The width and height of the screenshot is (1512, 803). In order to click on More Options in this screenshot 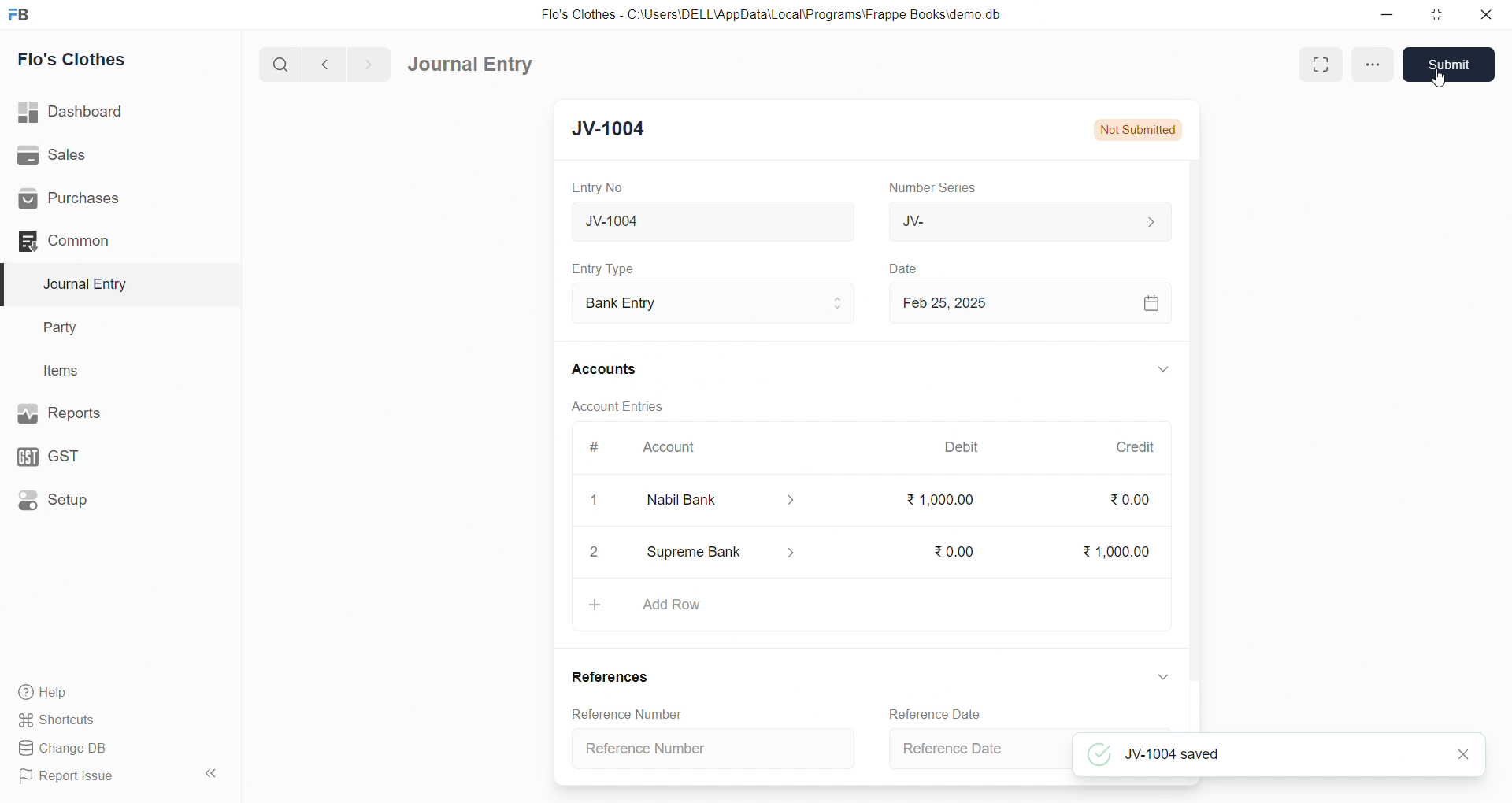, I will do `click(1371, 65)`.